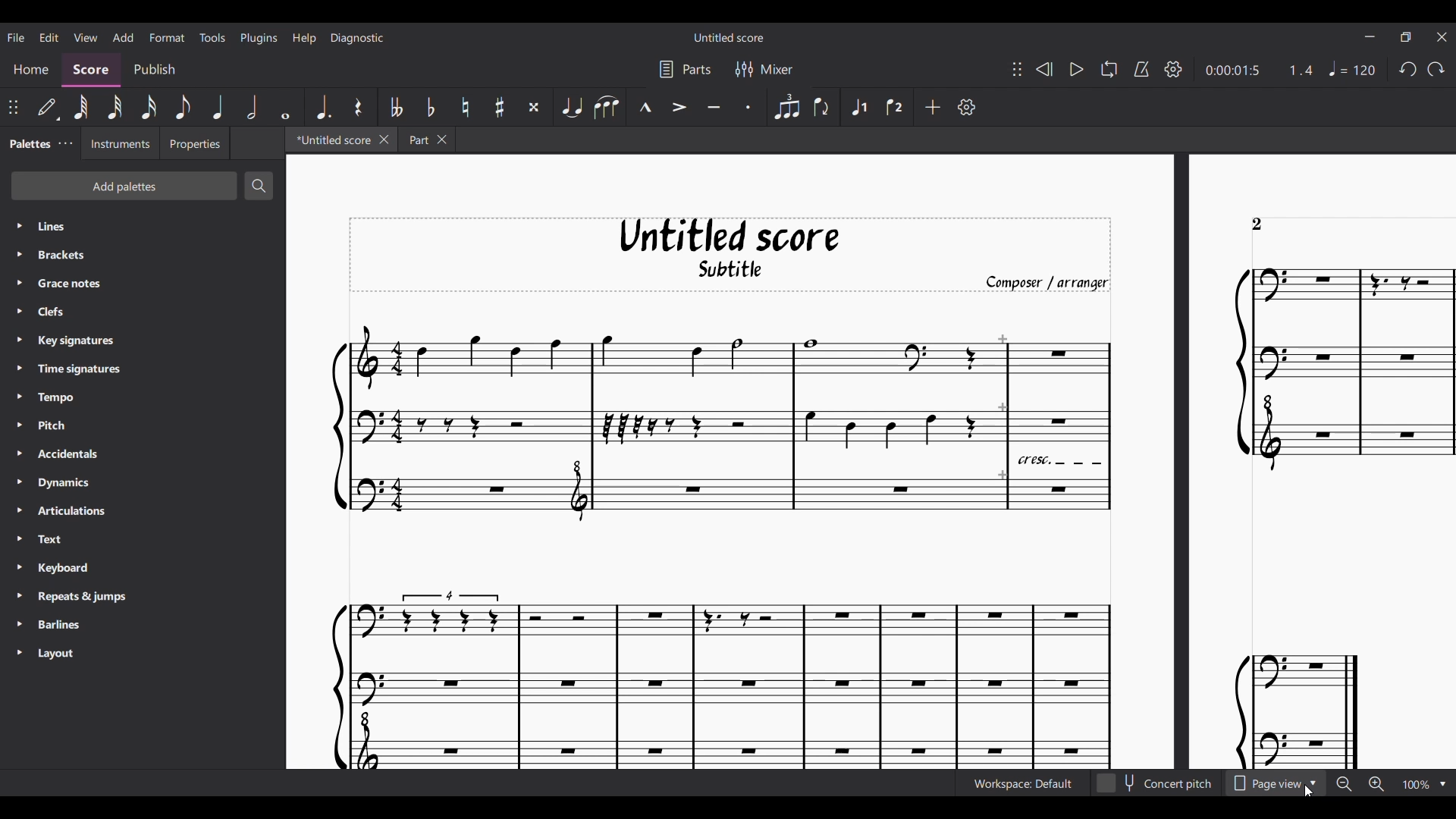 The height and width of the screenshot is (819, 1456). What do you see at coordinates (894, 107) in the screenshot?
I see `Voice 2` at bounding box center [894, 107].